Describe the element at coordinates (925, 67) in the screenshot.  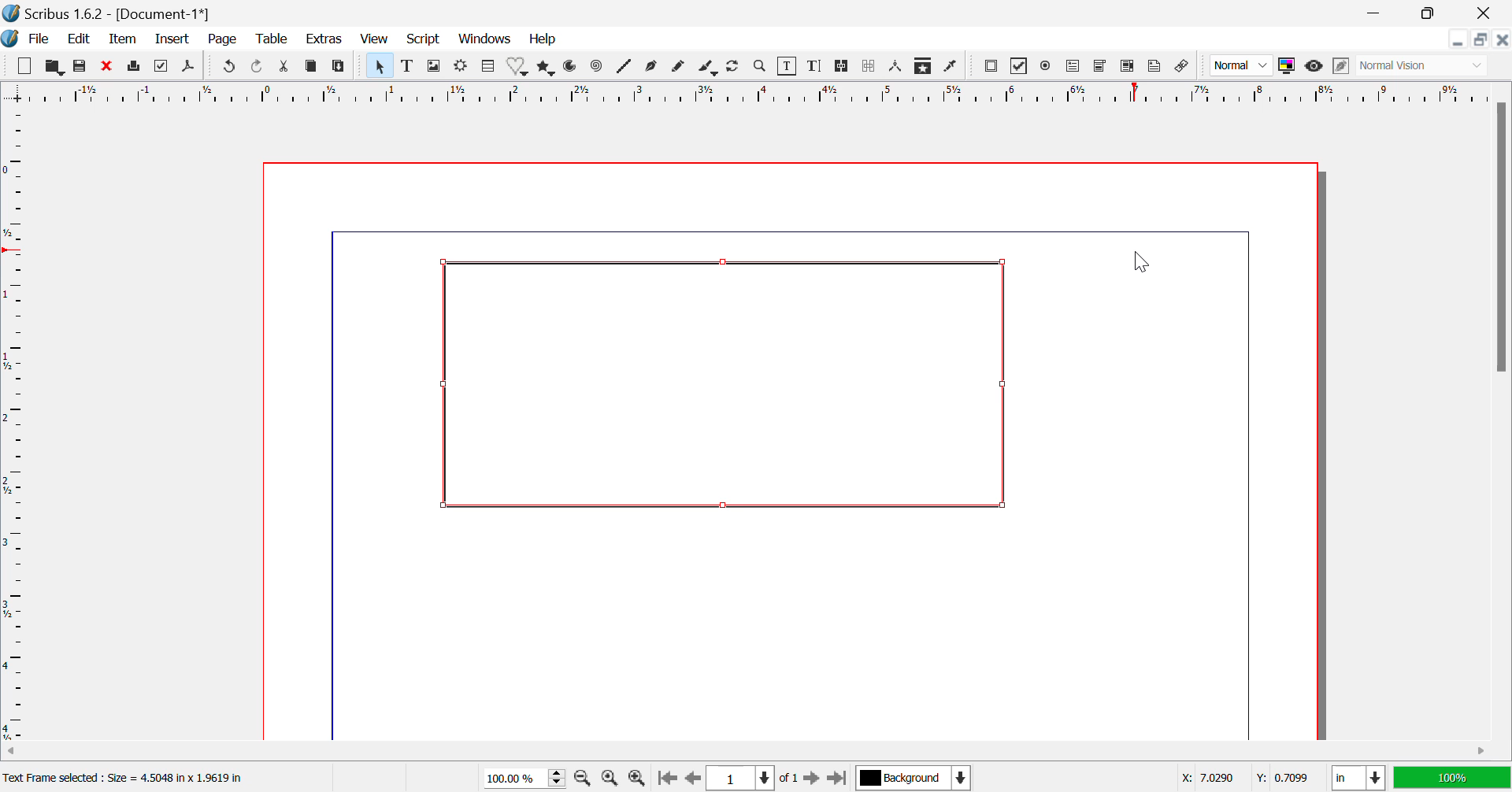
I see `Copy Item Properties` at that location.